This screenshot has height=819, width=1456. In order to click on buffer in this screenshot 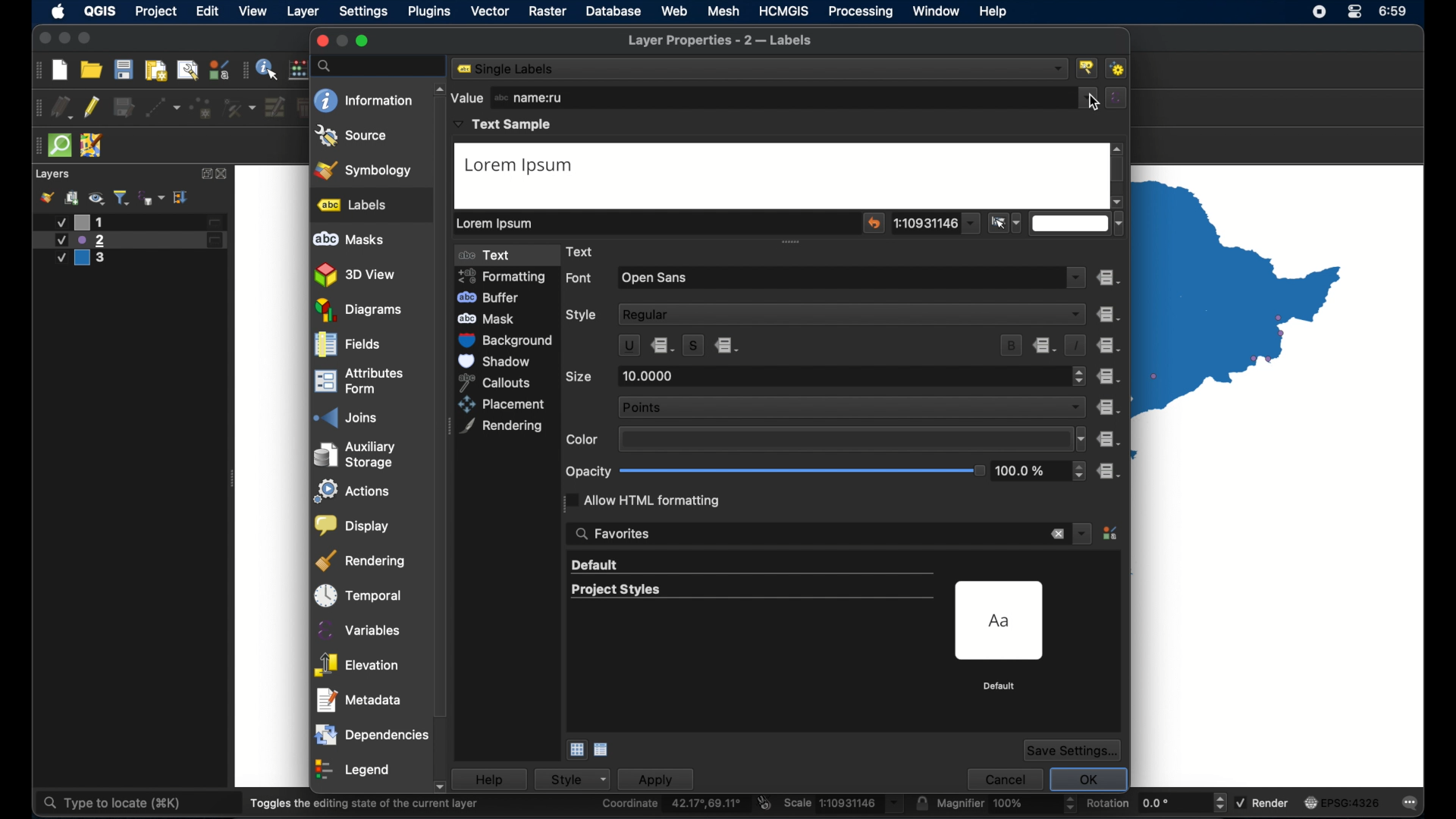, I will do `click(491, 297)`.